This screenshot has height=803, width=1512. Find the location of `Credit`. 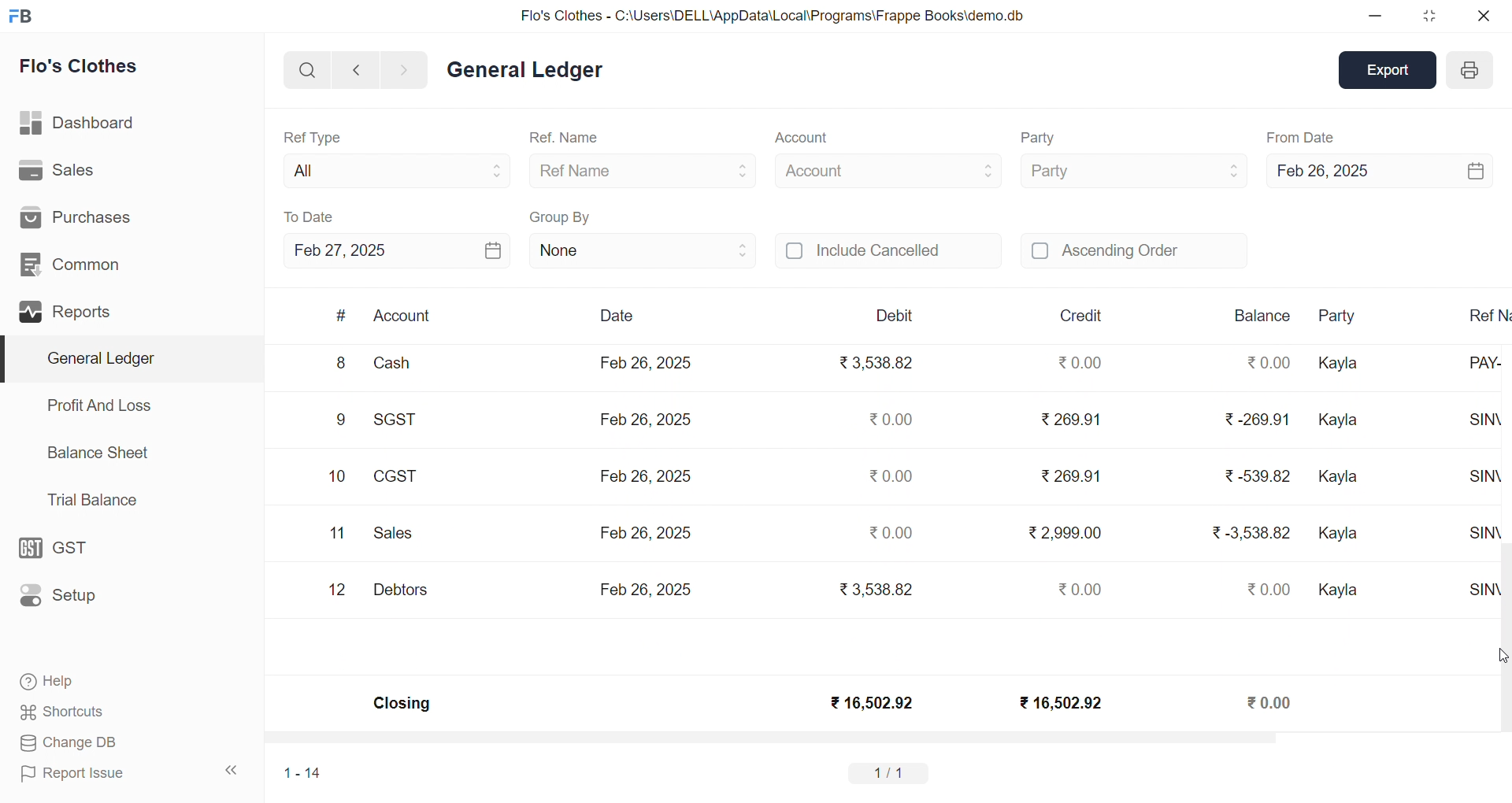

Credit is located at coordinates (1083, 316).